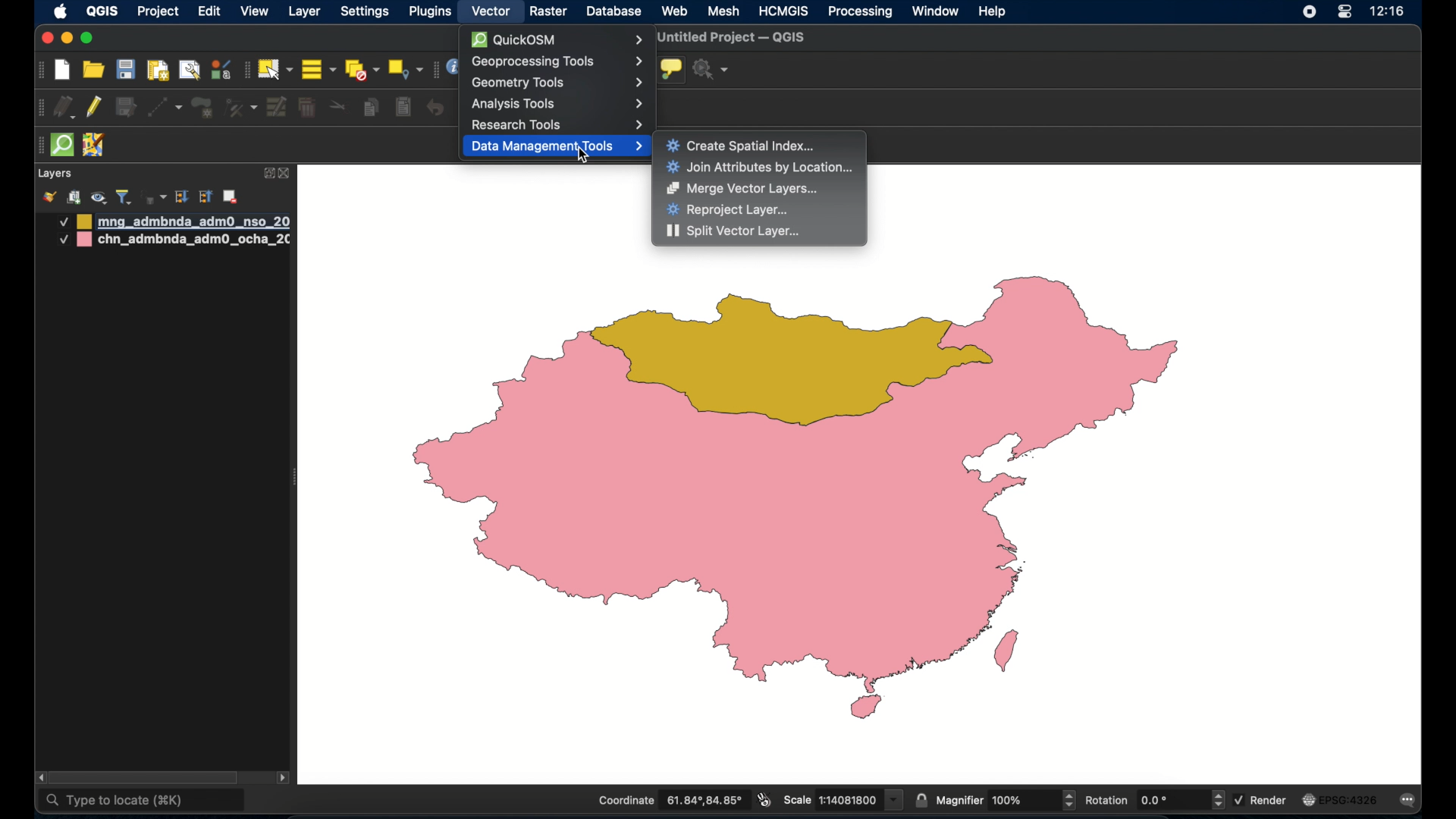 The height and width of the screenshot is (819, 1456). I want to click on digitize with segment, so click(164, 106).